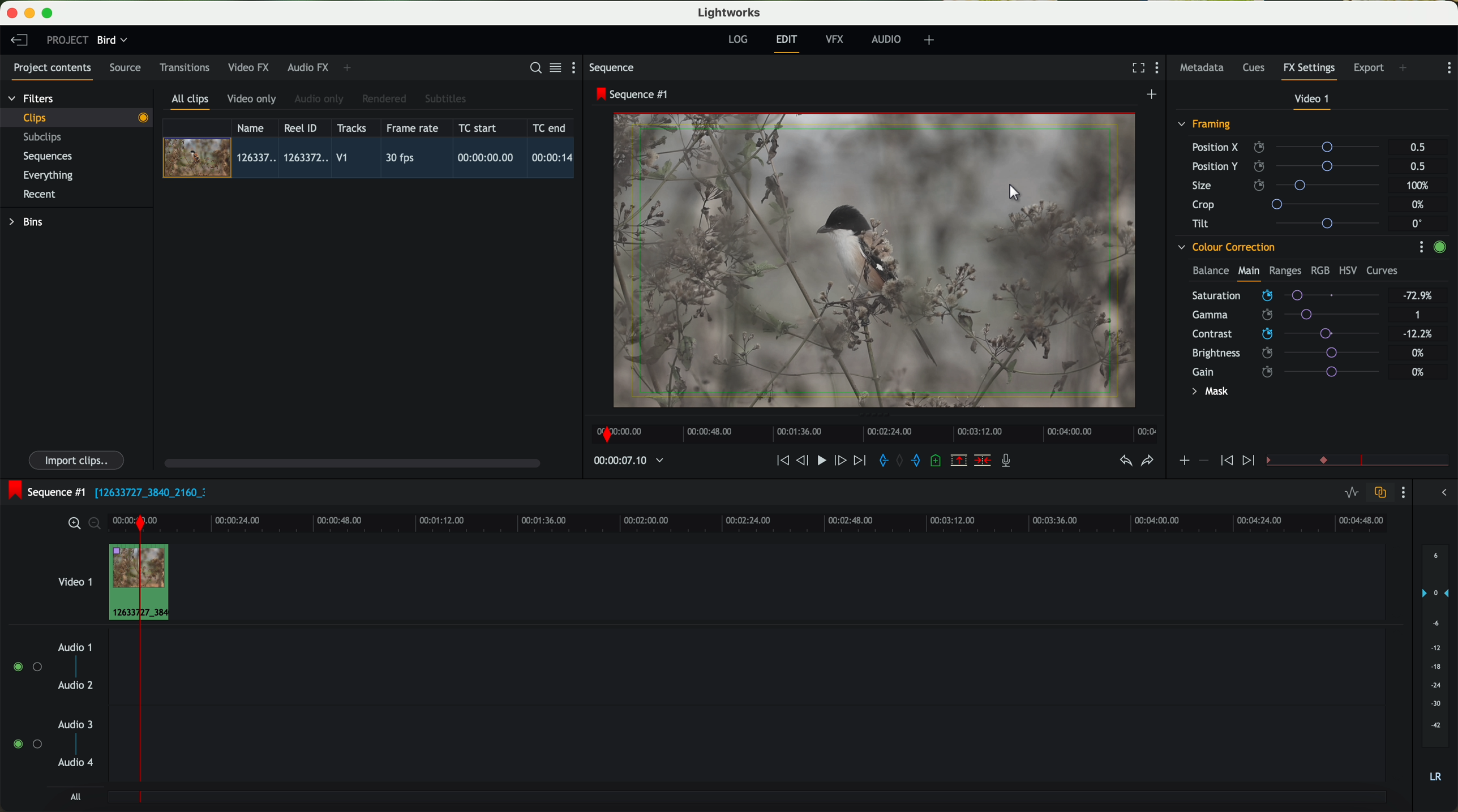 Image resolution: width=1458 pixels, height=812 pixels. Describe the element at coordinates (578, 67) in the screenshot. I see `show settings menu` at that location.